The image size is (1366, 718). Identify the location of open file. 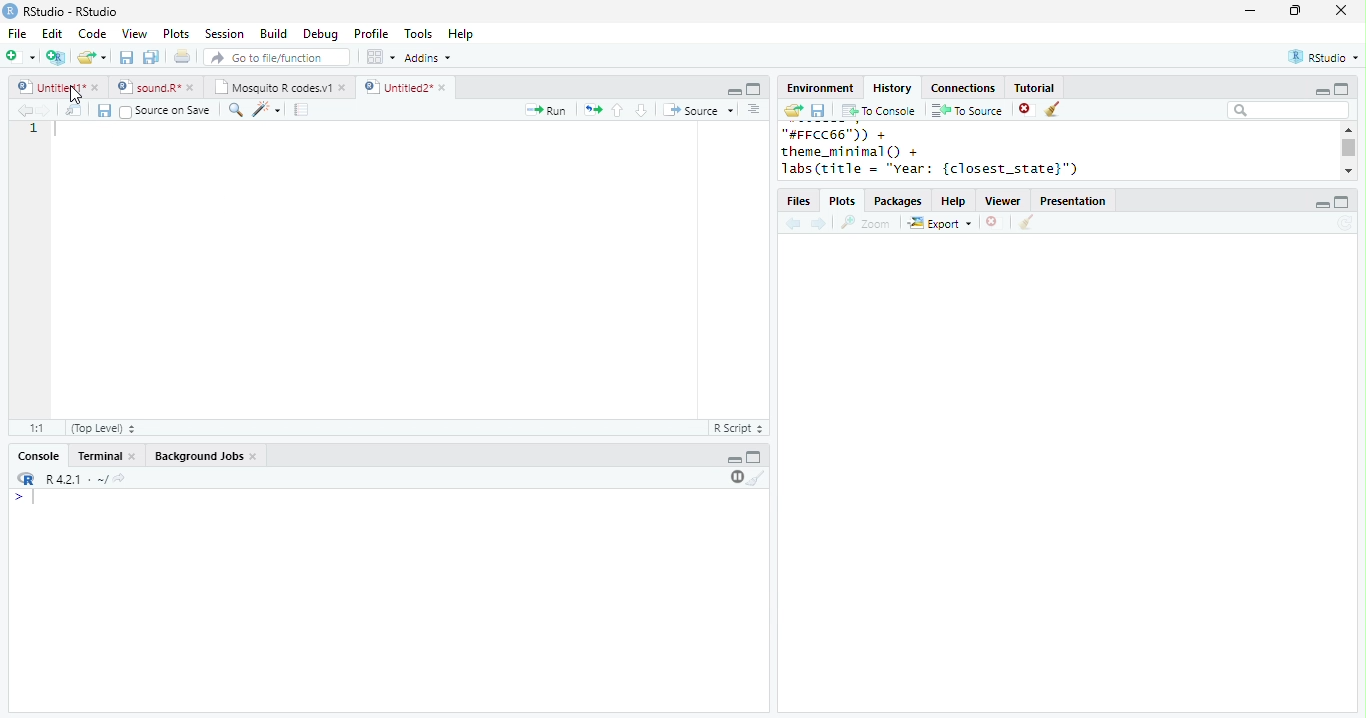
(92, 57).